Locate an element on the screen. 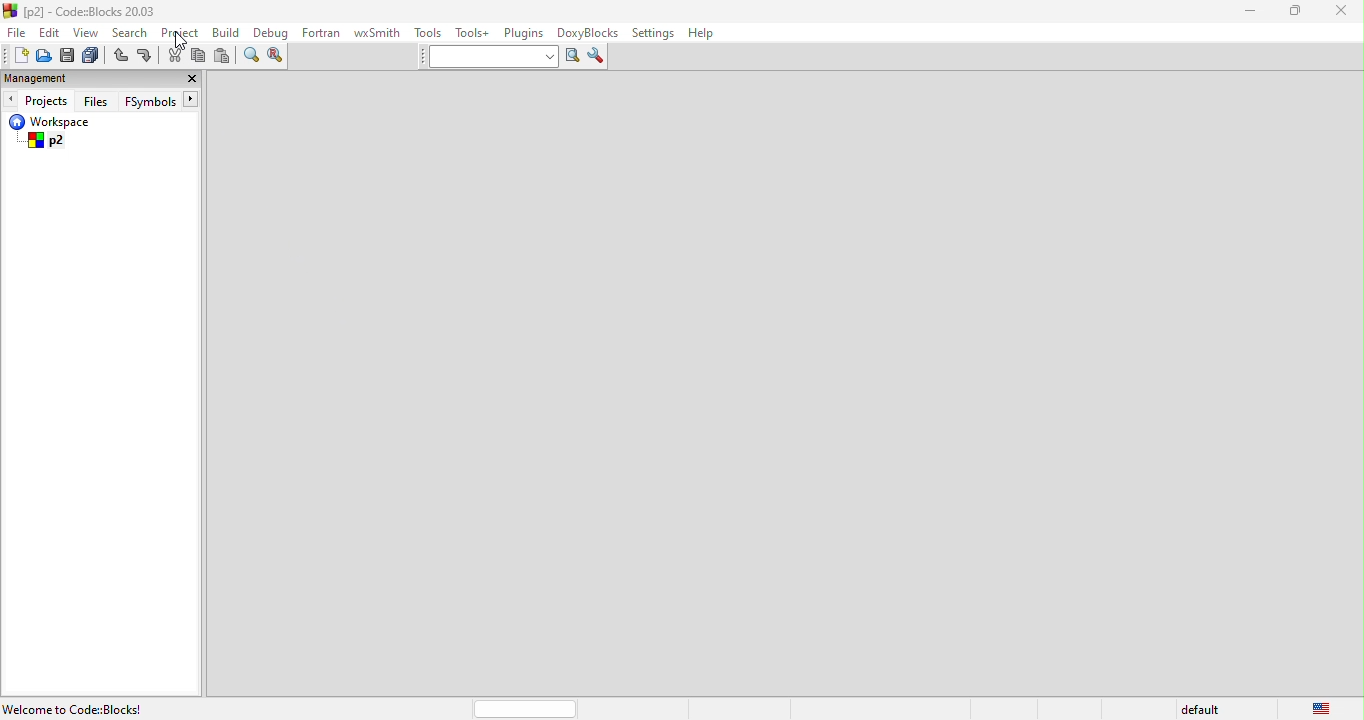 This screenshot has width=1364, height=720. wxsmith is located at coordinates (377, 33).